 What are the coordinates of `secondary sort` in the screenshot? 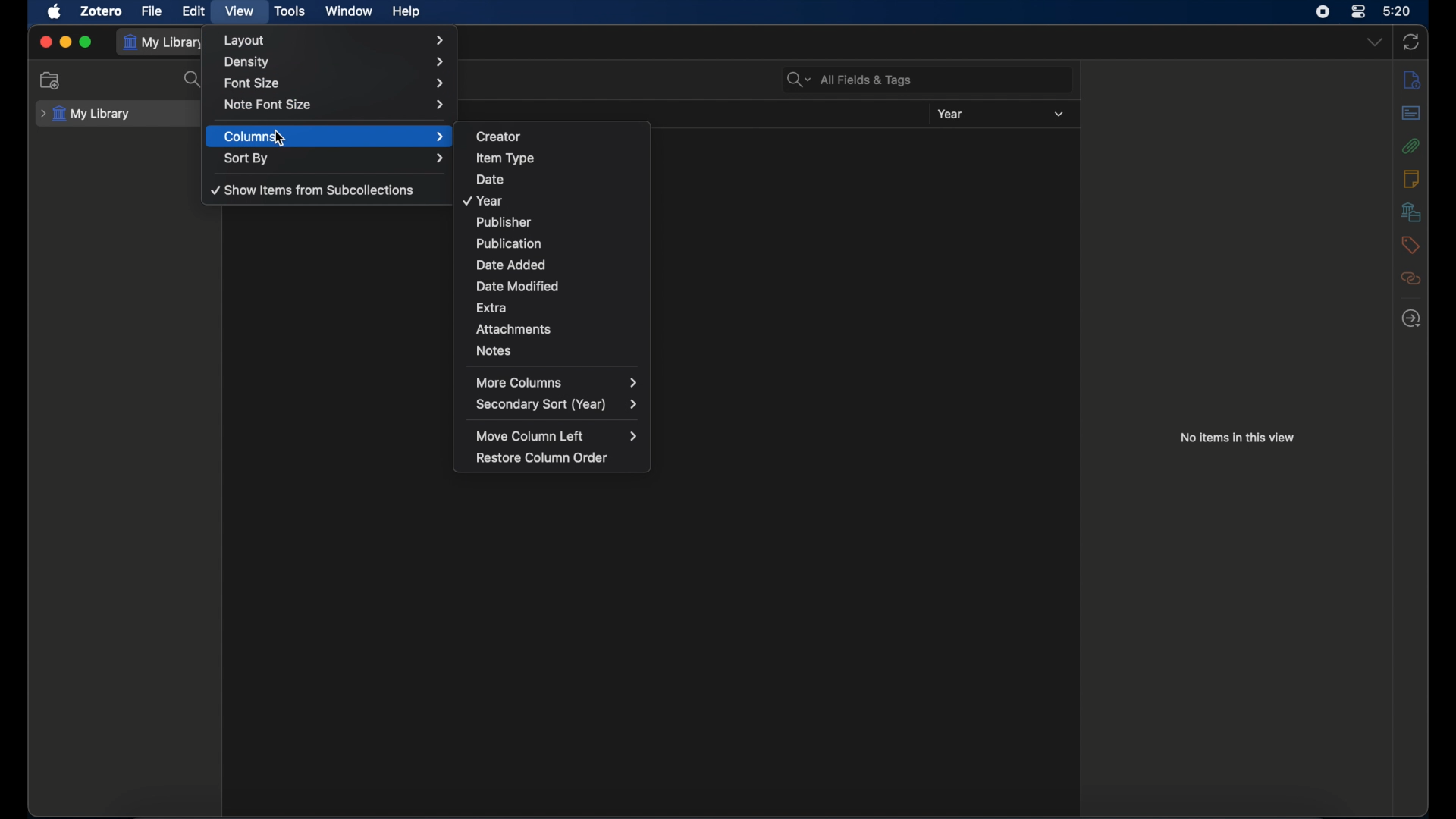 It's located at (557, 405).